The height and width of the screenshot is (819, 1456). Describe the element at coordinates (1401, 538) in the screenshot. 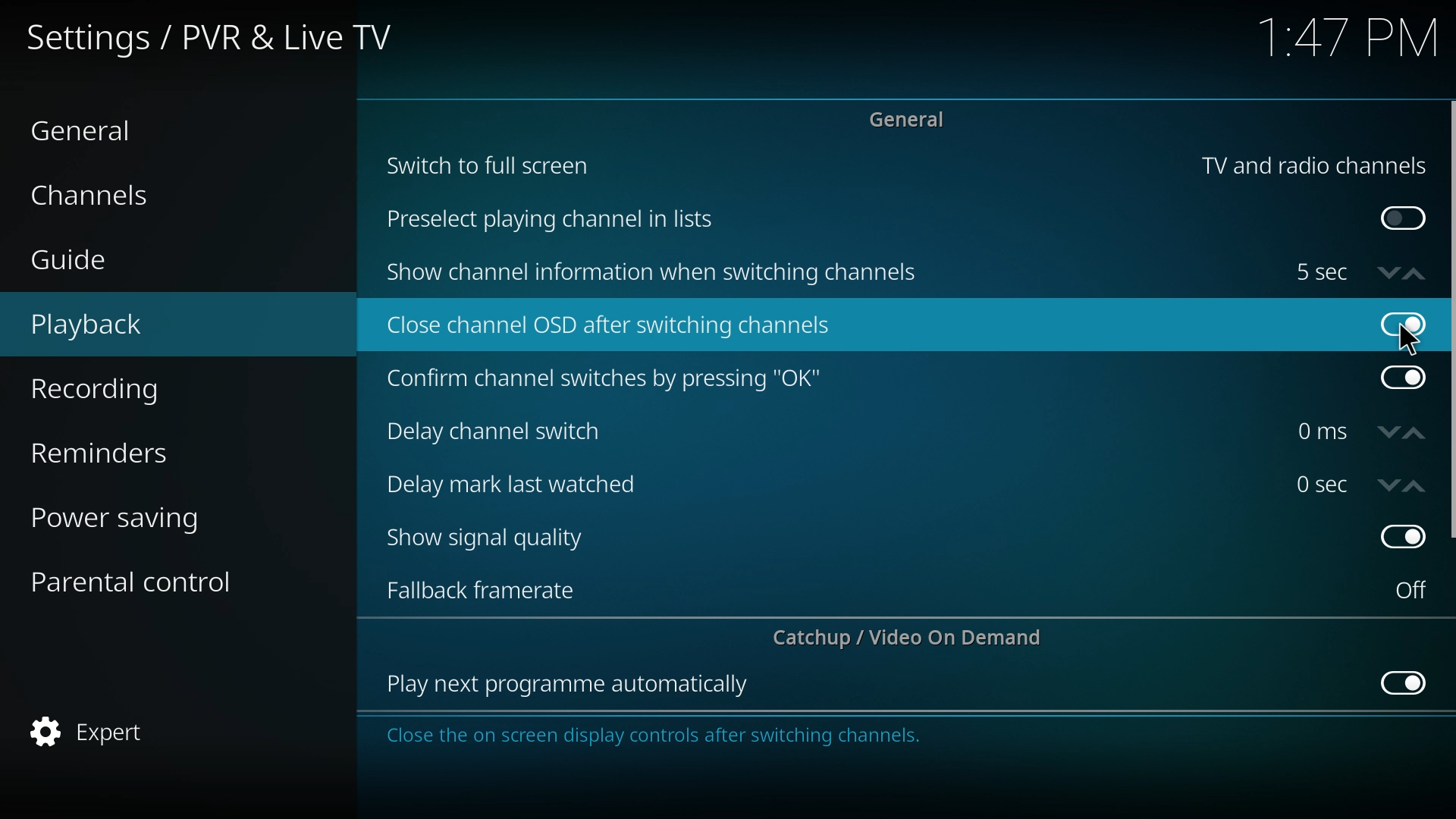

I see `off` at that location.